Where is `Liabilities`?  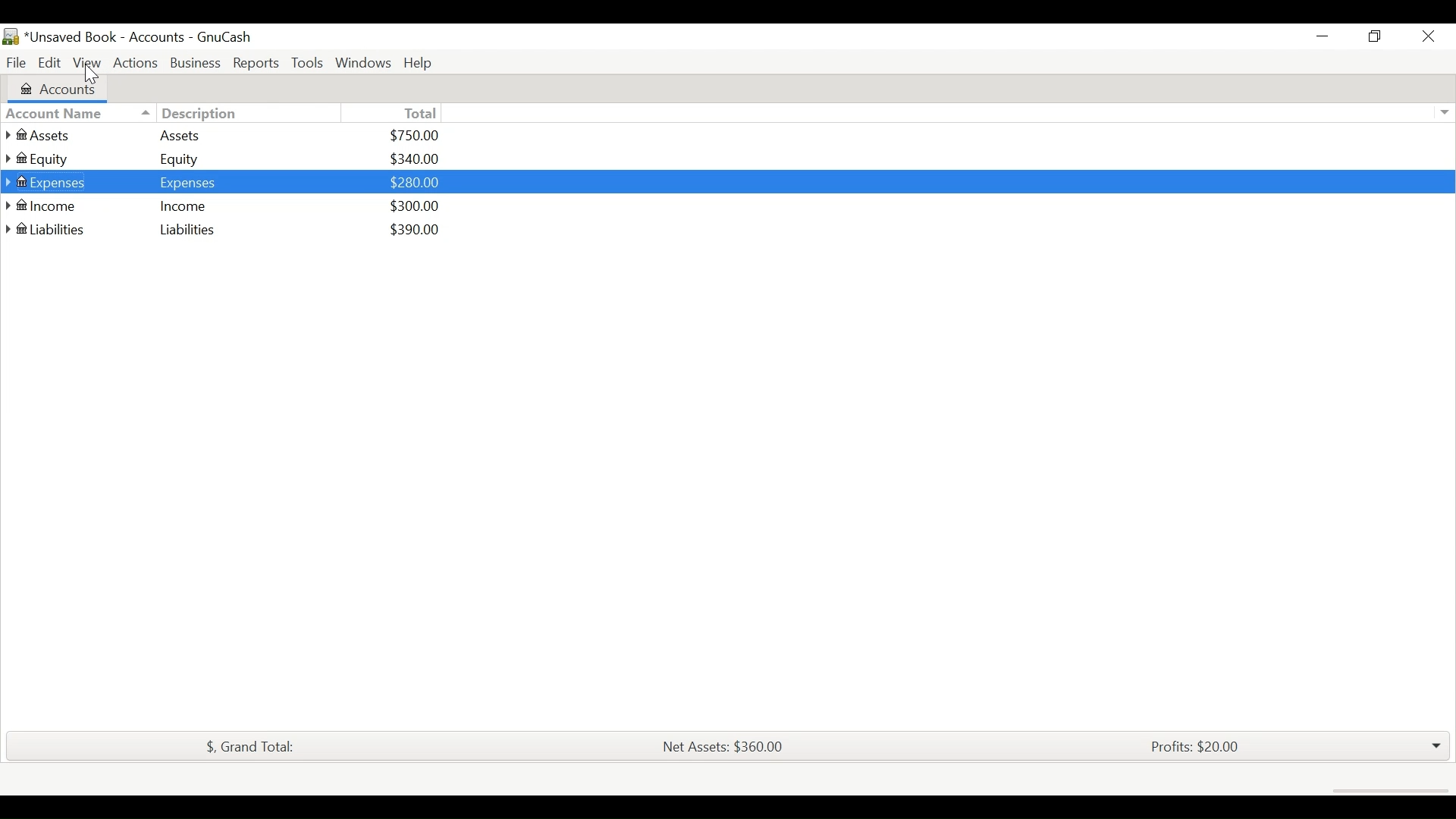 Liabilities is located at coordinates (184, 229).